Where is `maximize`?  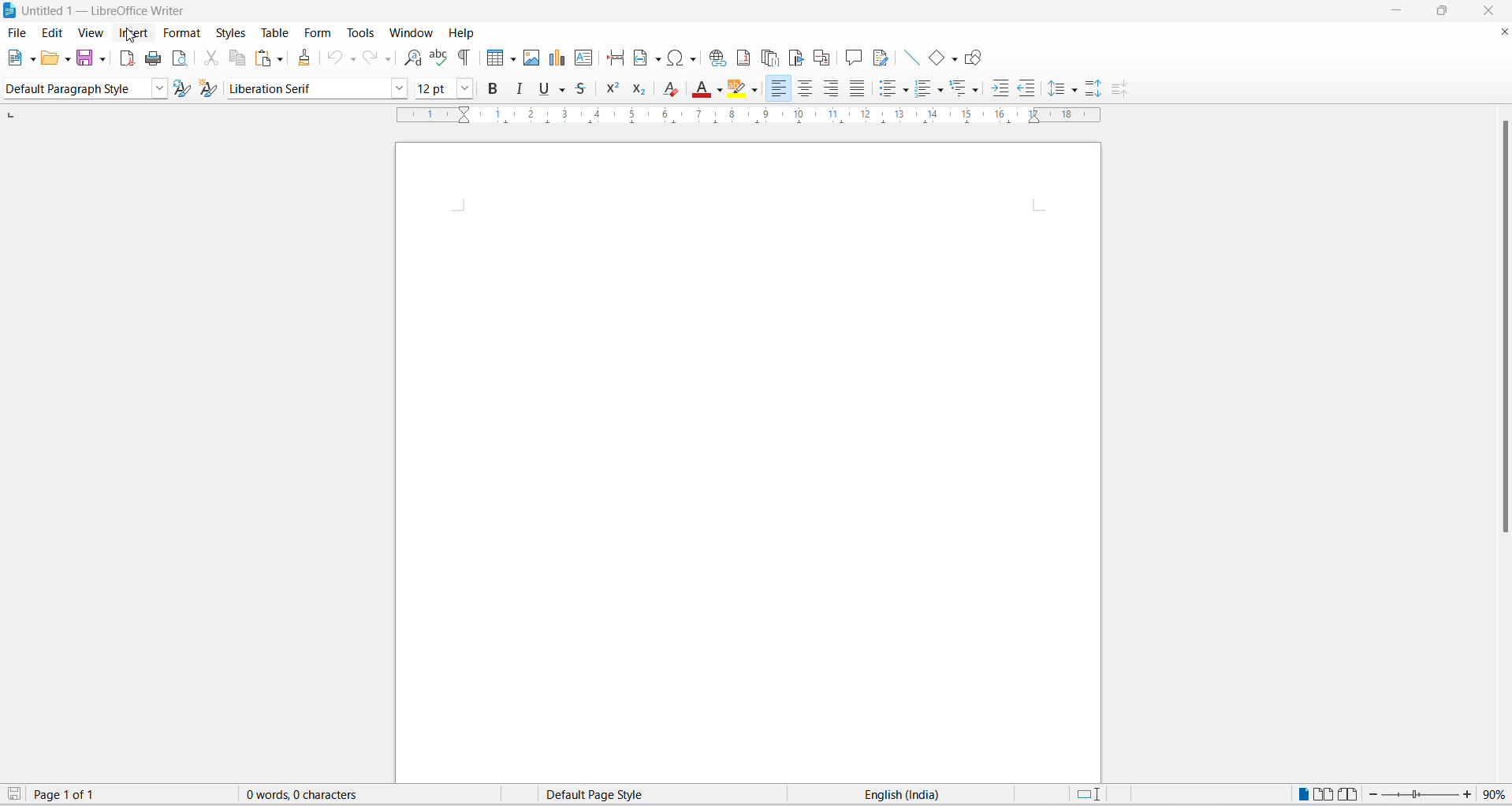 maximize is located at coordinates (1448, 12).